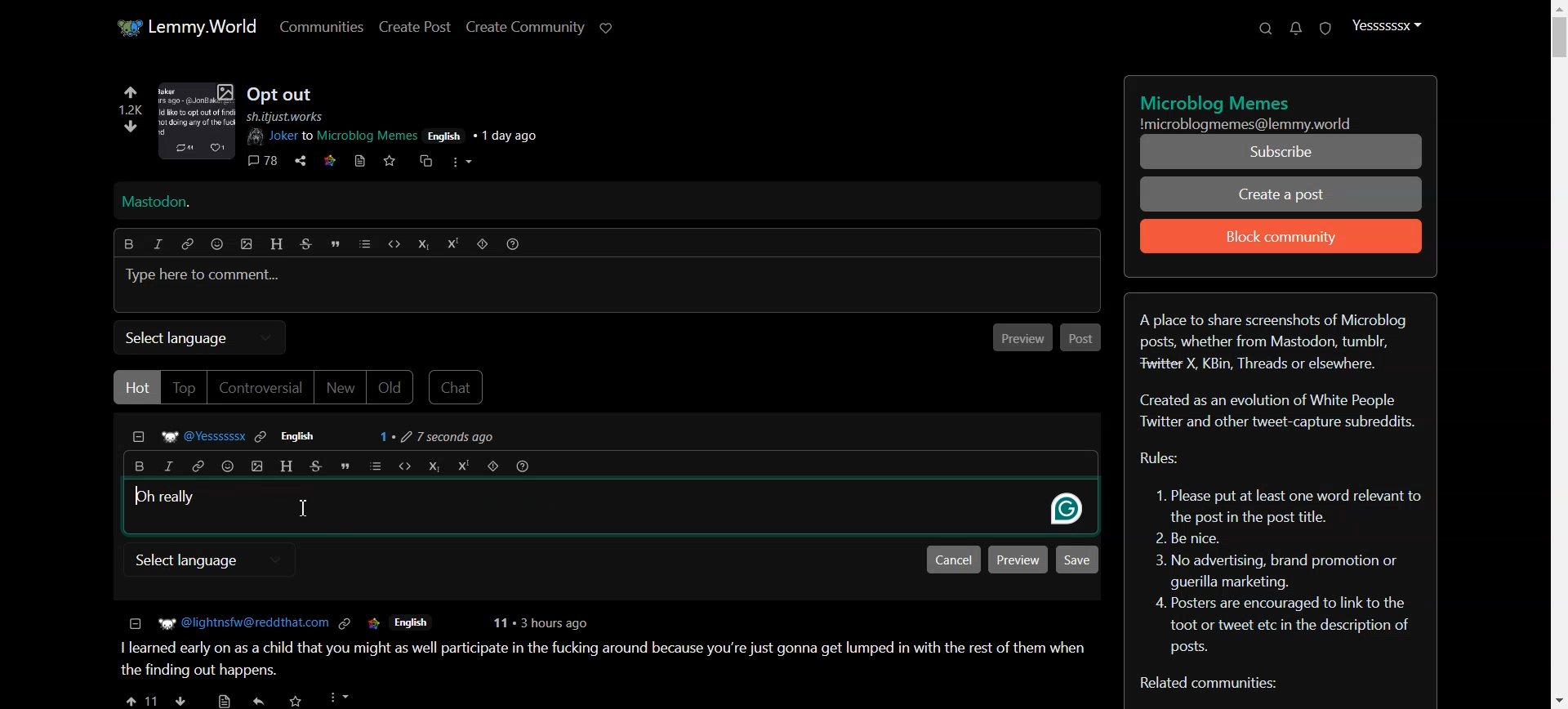 This screenshot has width=1568, height=709. What do you see at coordinates (514, 243) in the screenshot?
I see `Formatting help` at bounding box center [514, 243].